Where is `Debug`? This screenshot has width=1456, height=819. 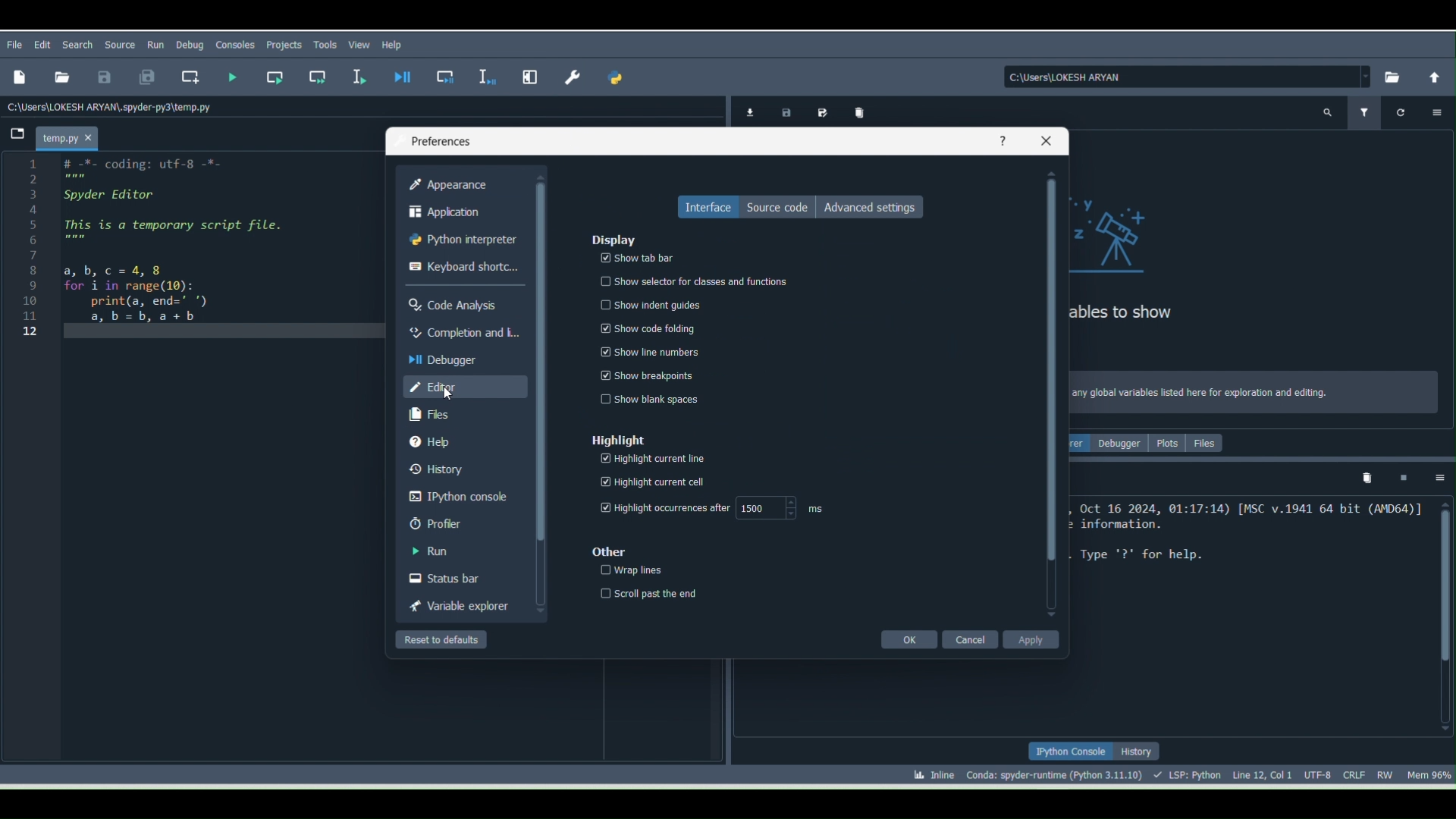
Debug is located at coordinates (190, 45).